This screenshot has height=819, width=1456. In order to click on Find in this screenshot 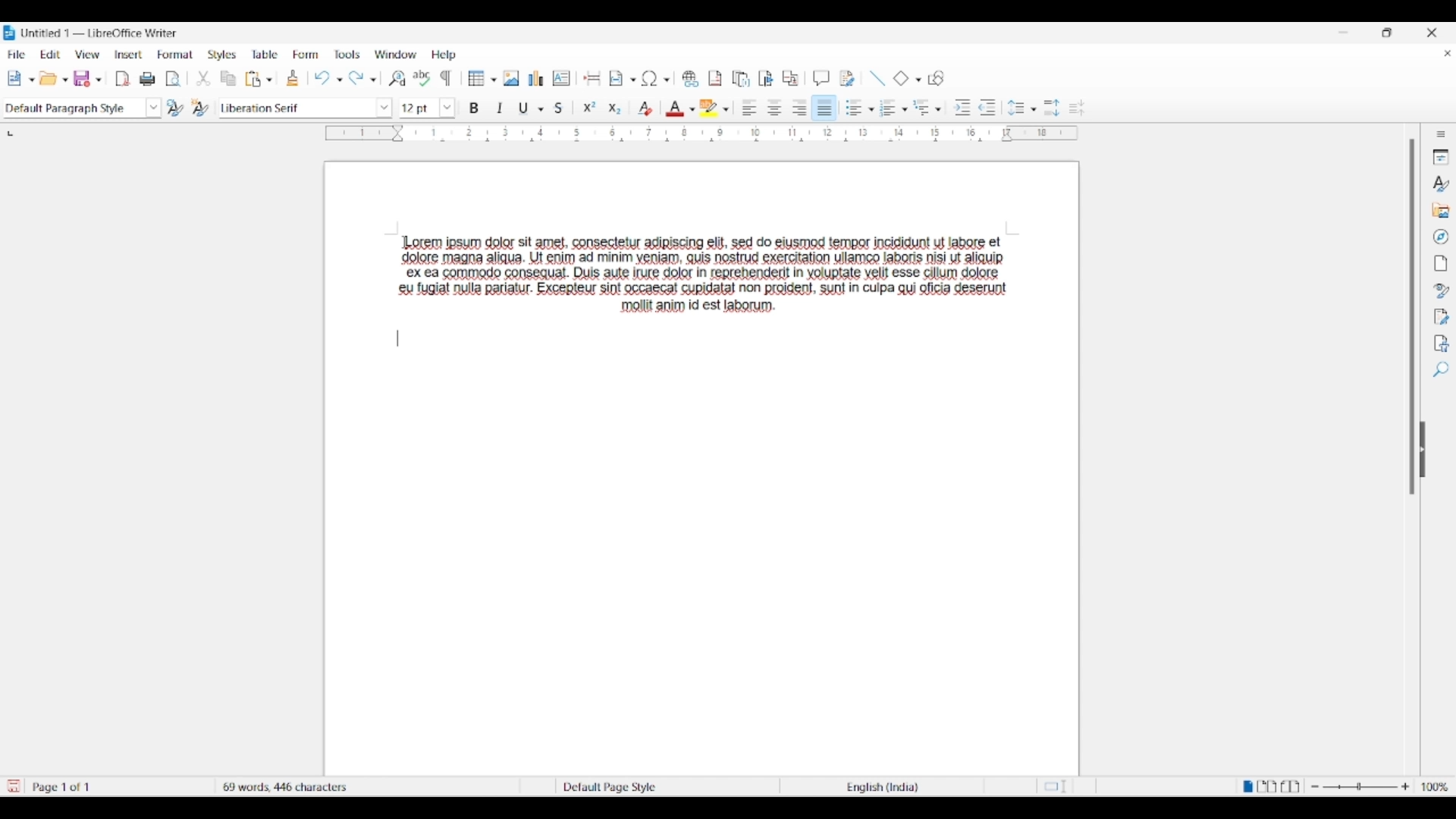, I will do `click(1442, 369)`.